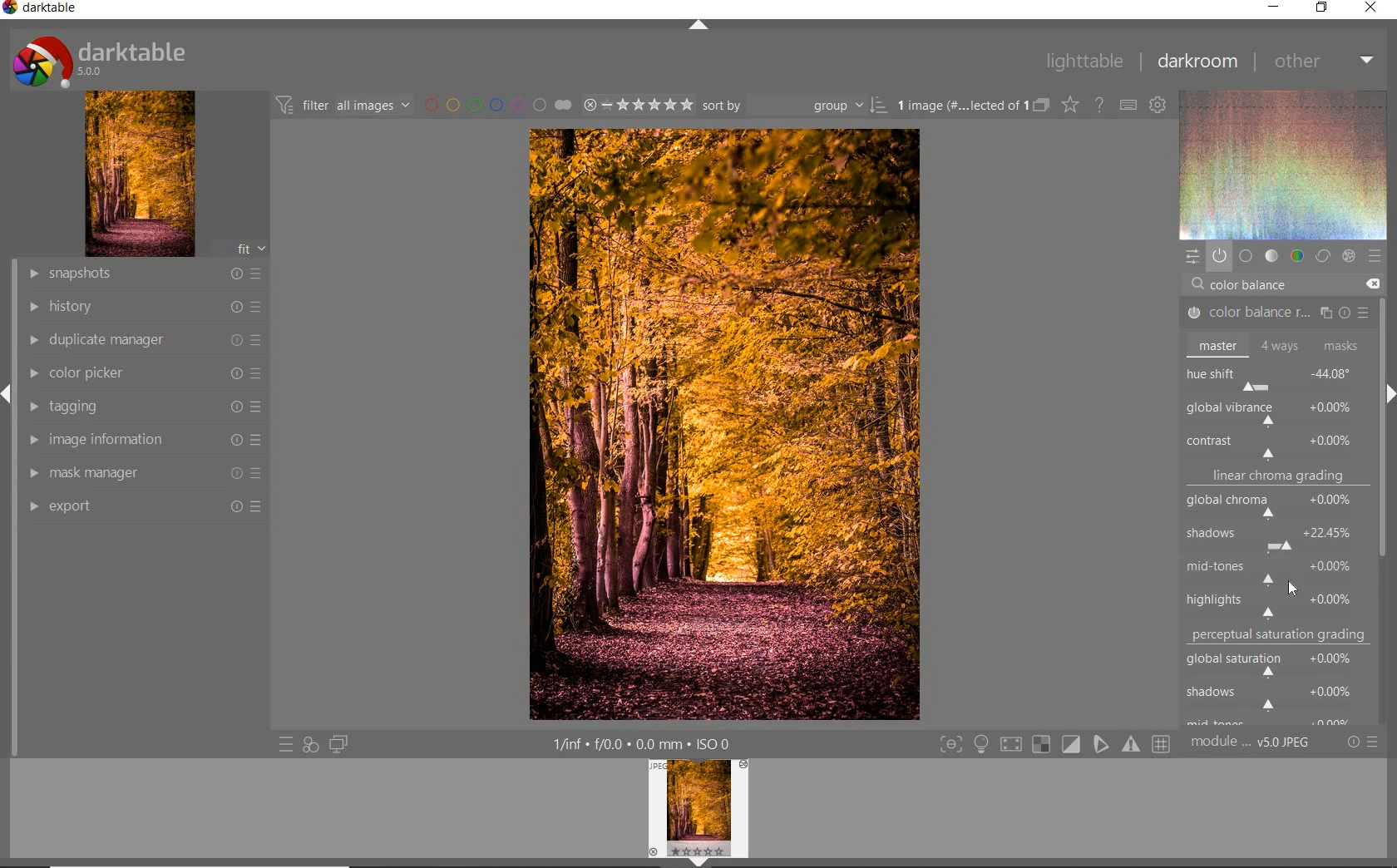 Image resolution: width=1397 pixels, height=868 pixels. Describe the element at coordinates (1361, 742) in the screenshot. I see `reset or preset & preference` at that location.